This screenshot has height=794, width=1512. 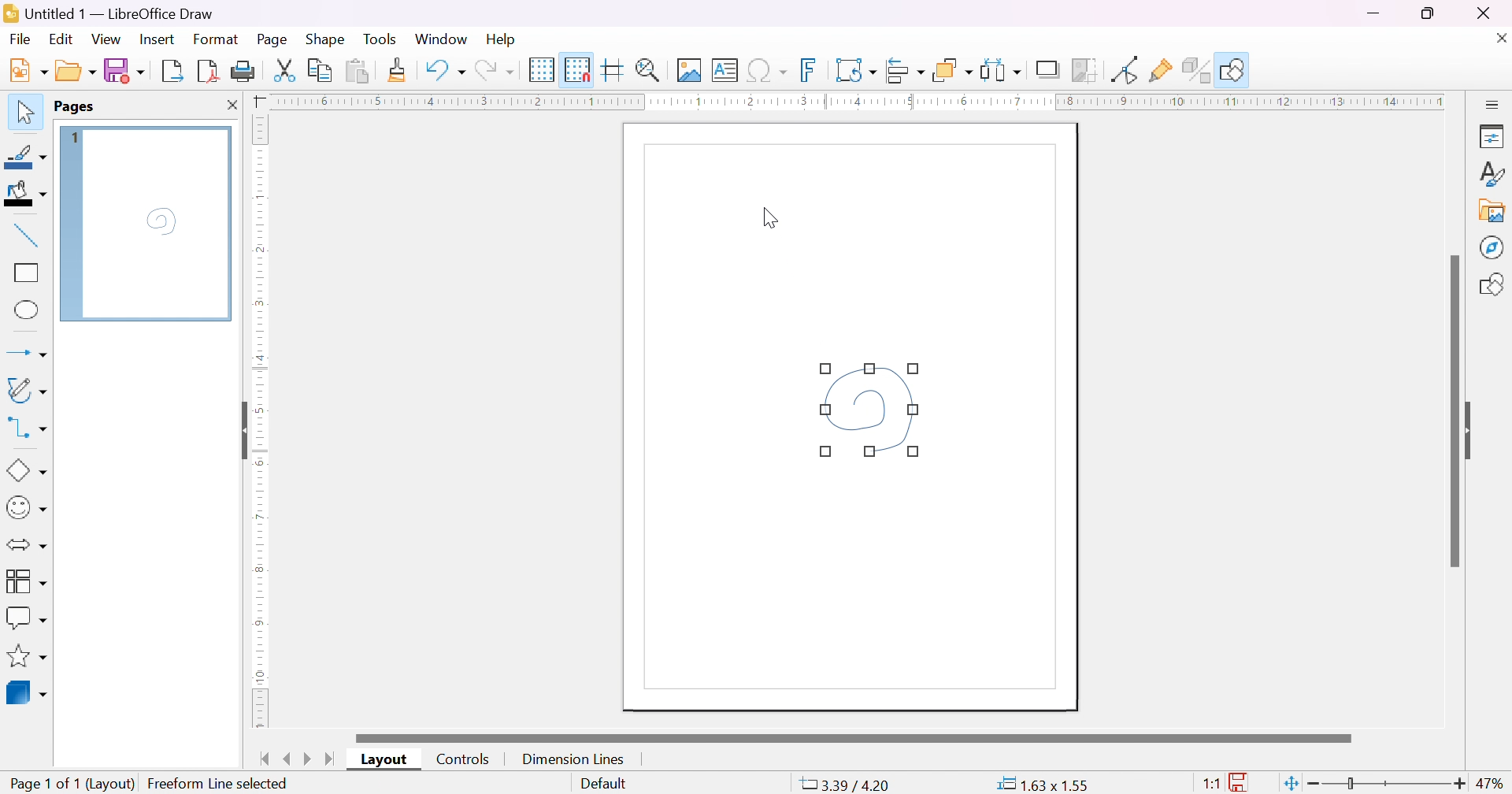 What do you see at coordinates (24, 111) in the screenshot?
I see `selection tool` at bounding box center [24, 111].